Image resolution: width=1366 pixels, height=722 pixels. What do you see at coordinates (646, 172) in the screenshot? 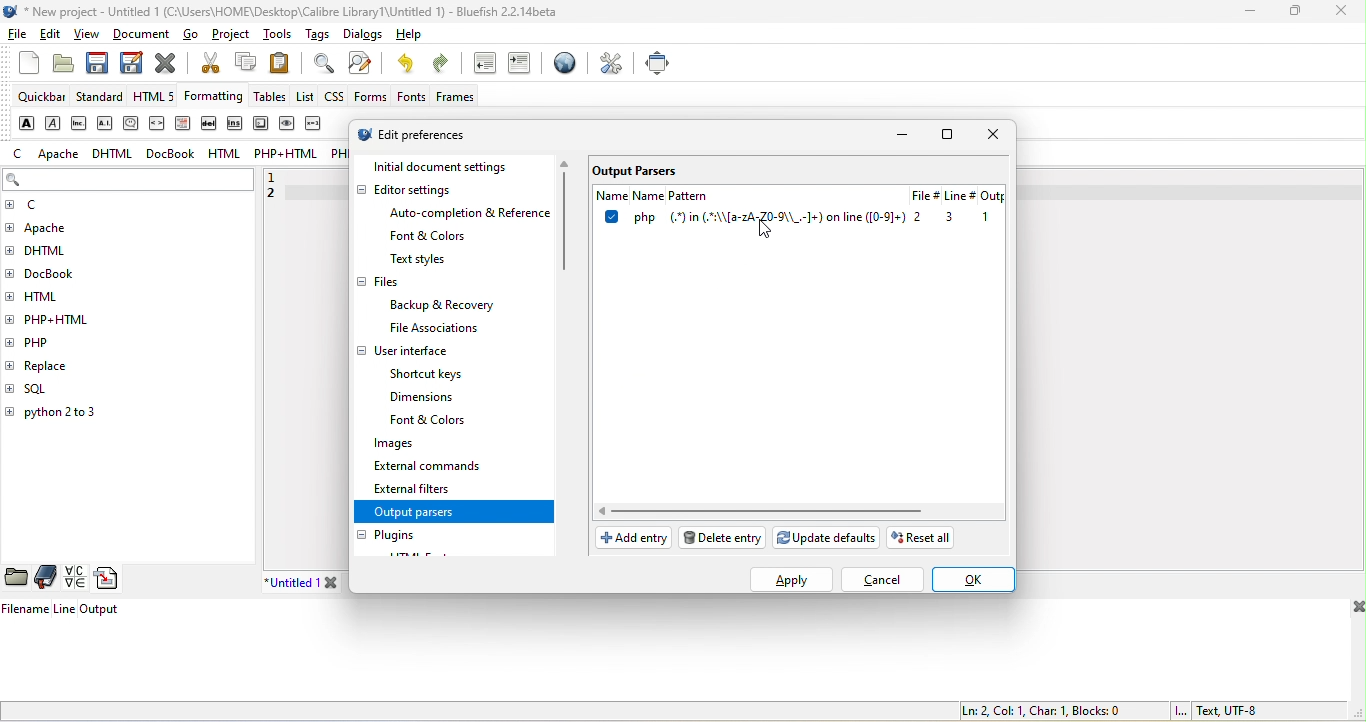
I see `output parsers` at bounding box center [646, 172].